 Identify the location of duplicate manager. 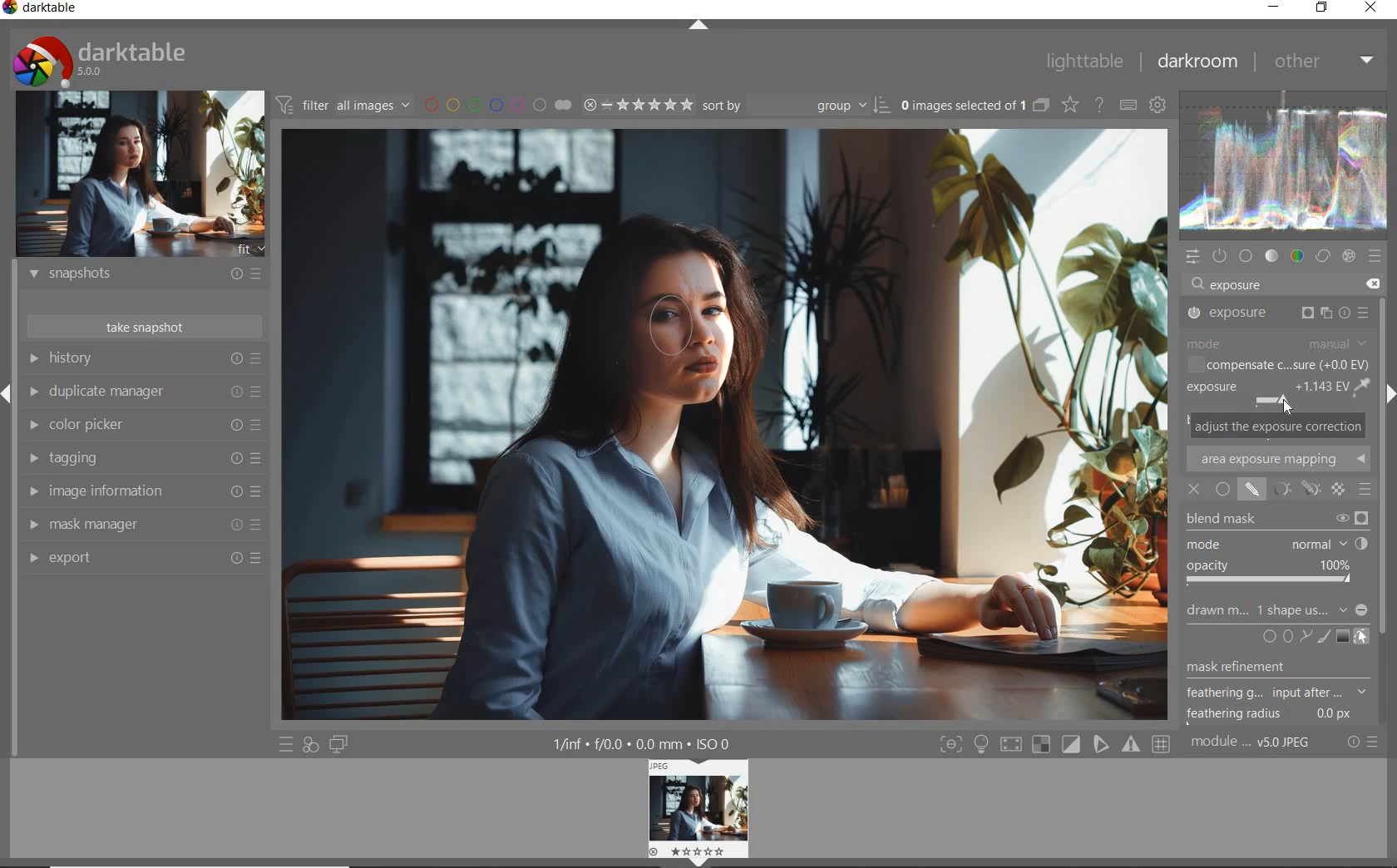
(146, 392).